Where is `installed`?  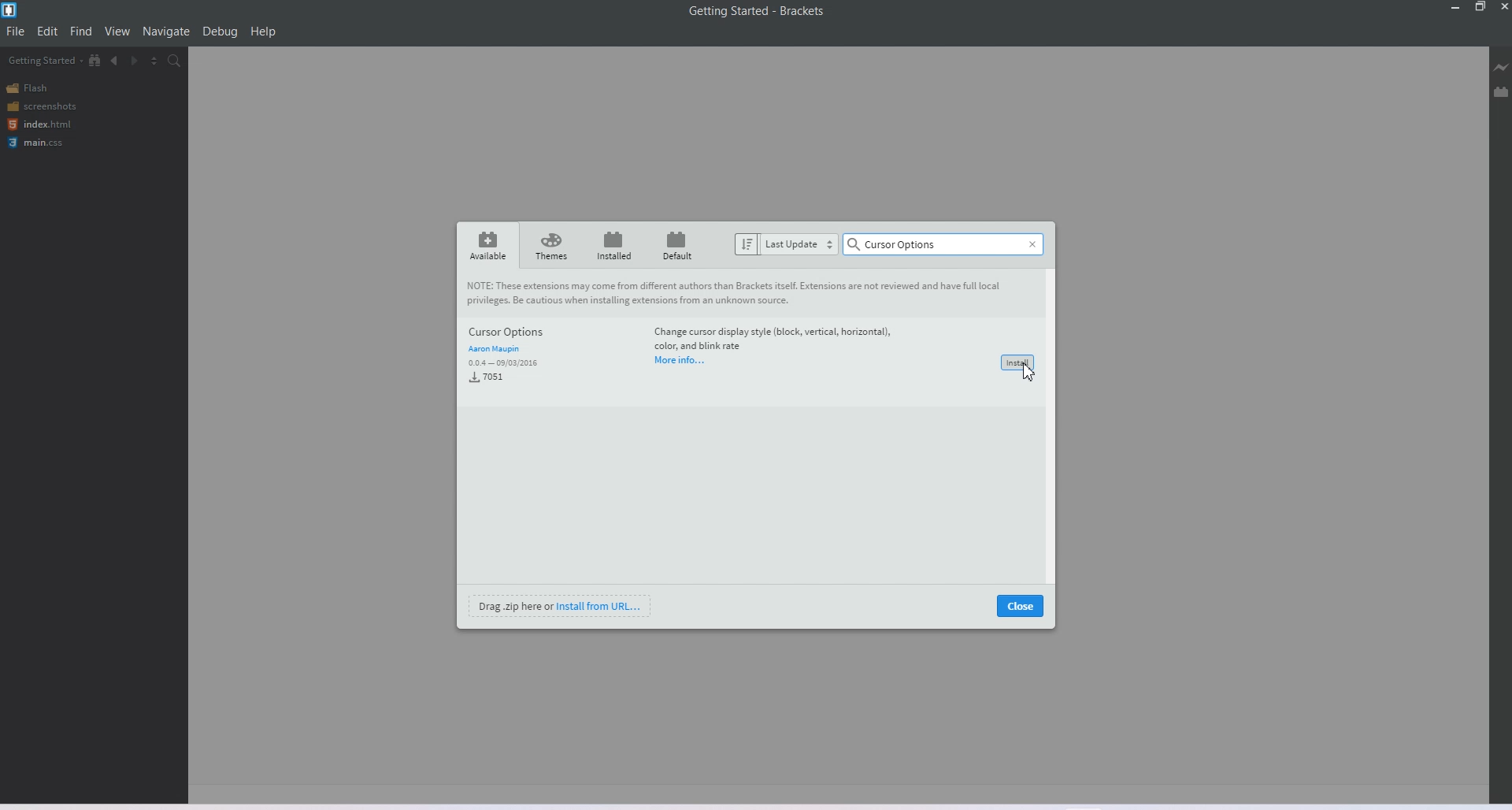
installed is located at coordinates (615, 245).